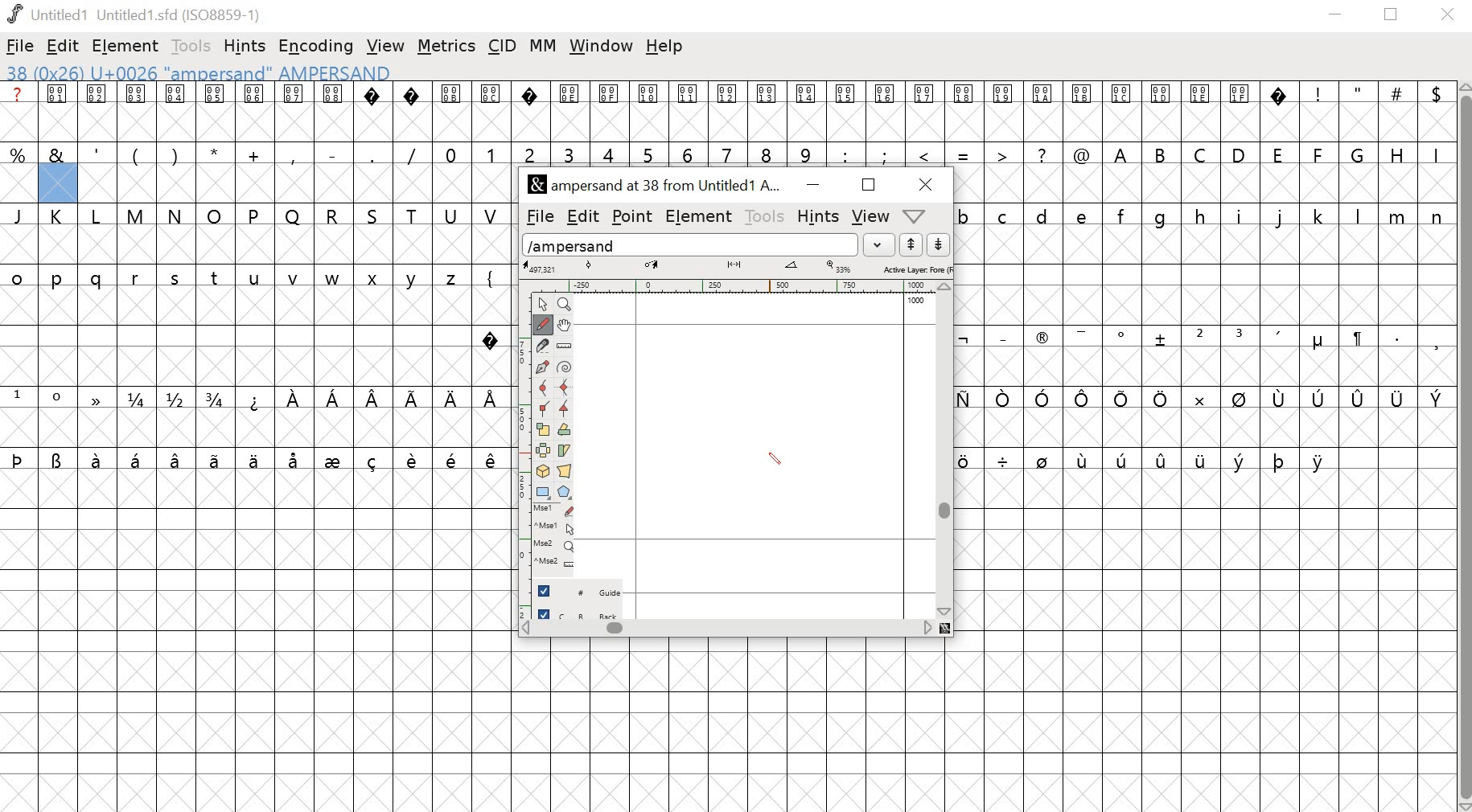 The width and height of the screenshot is (1472, 812). I want to click on G, so click(1359, 154).